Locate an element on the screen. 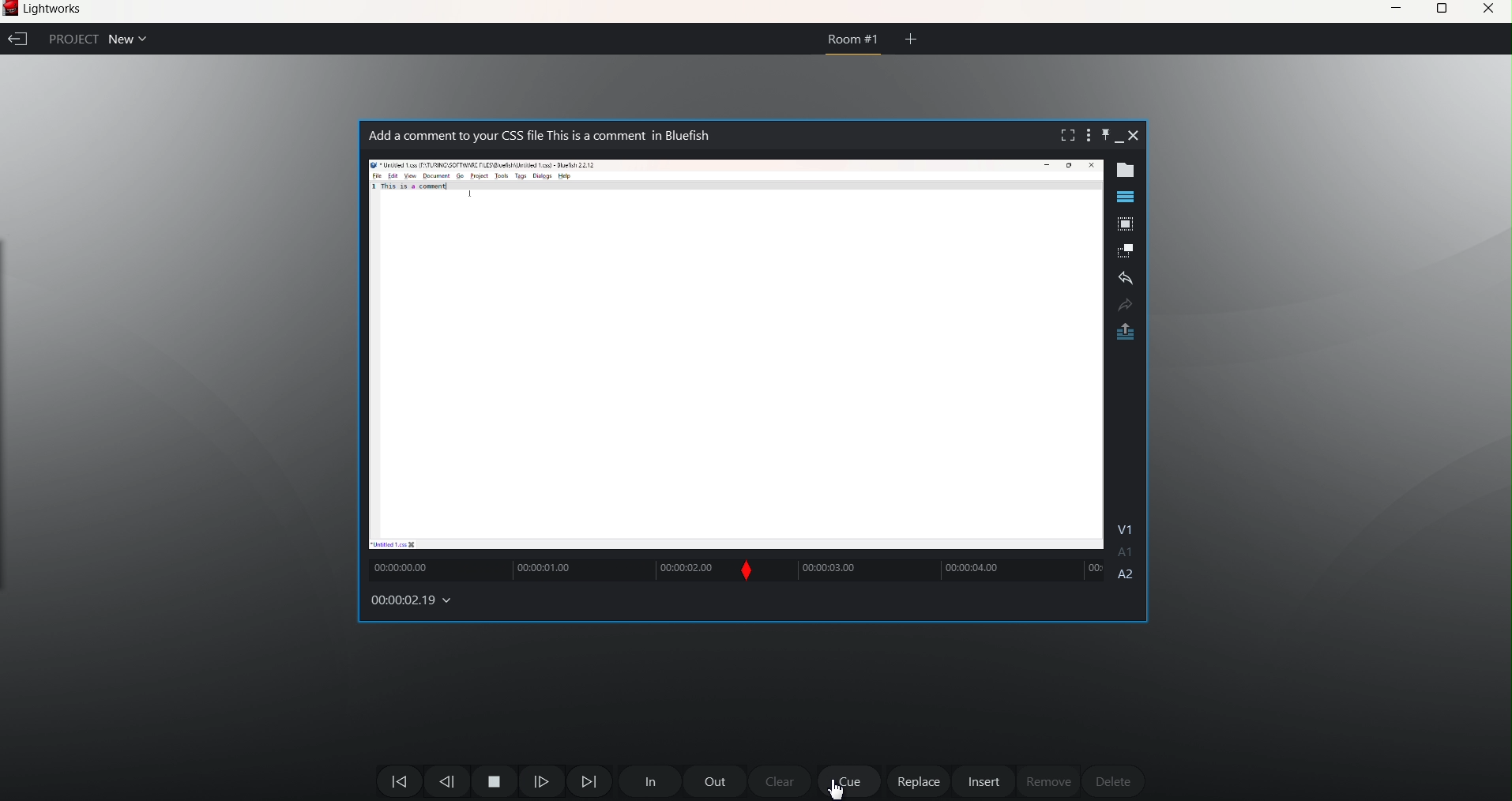  minimize clip is located at coordinates (1119, 143).